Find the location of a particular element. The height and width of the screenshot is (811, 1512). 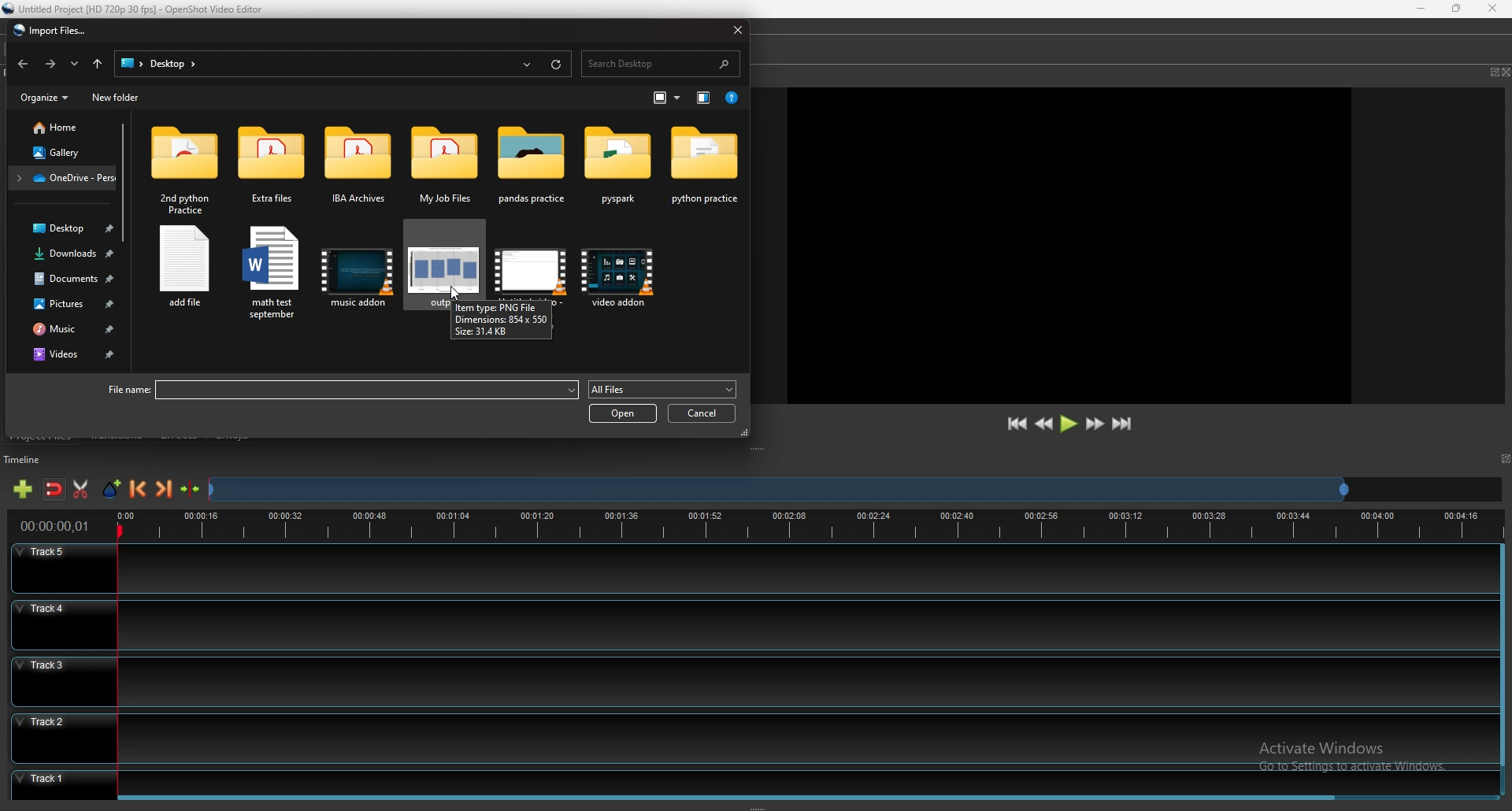

emojis is located at coordinates (232, 434).